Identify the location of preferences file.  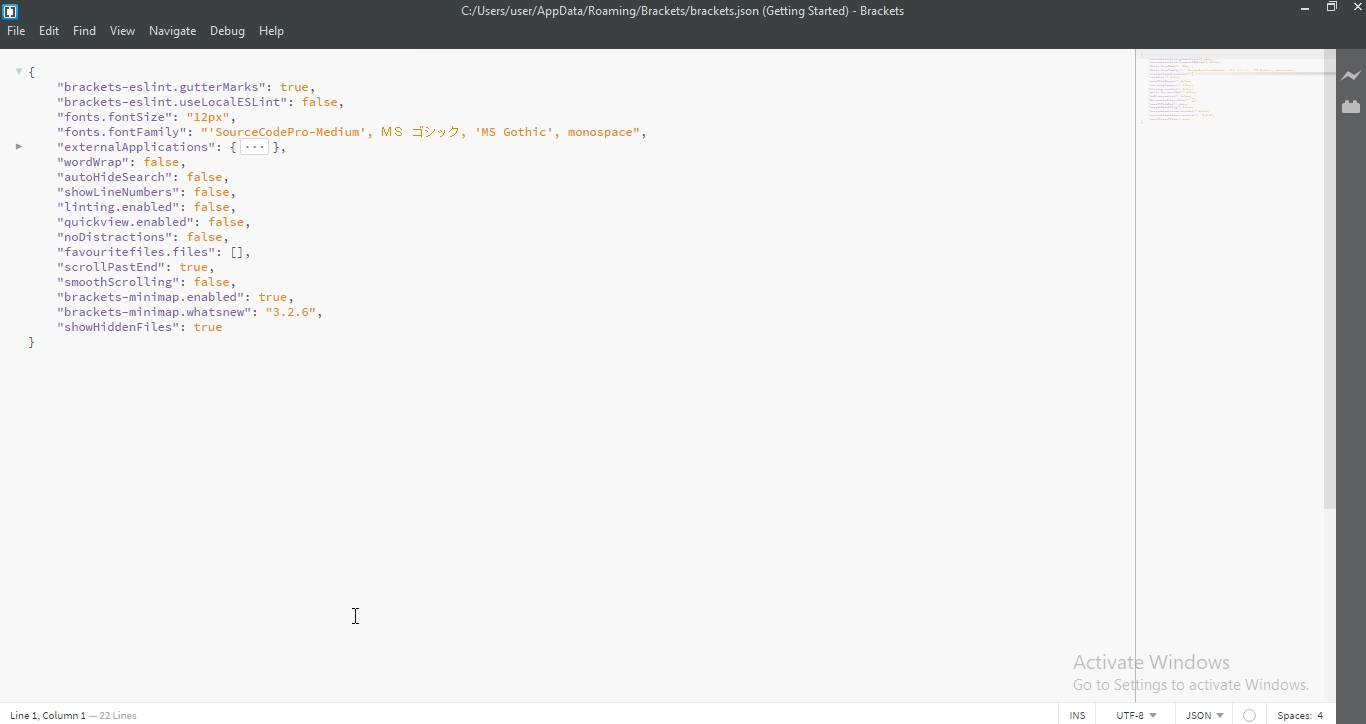
(344, 222).